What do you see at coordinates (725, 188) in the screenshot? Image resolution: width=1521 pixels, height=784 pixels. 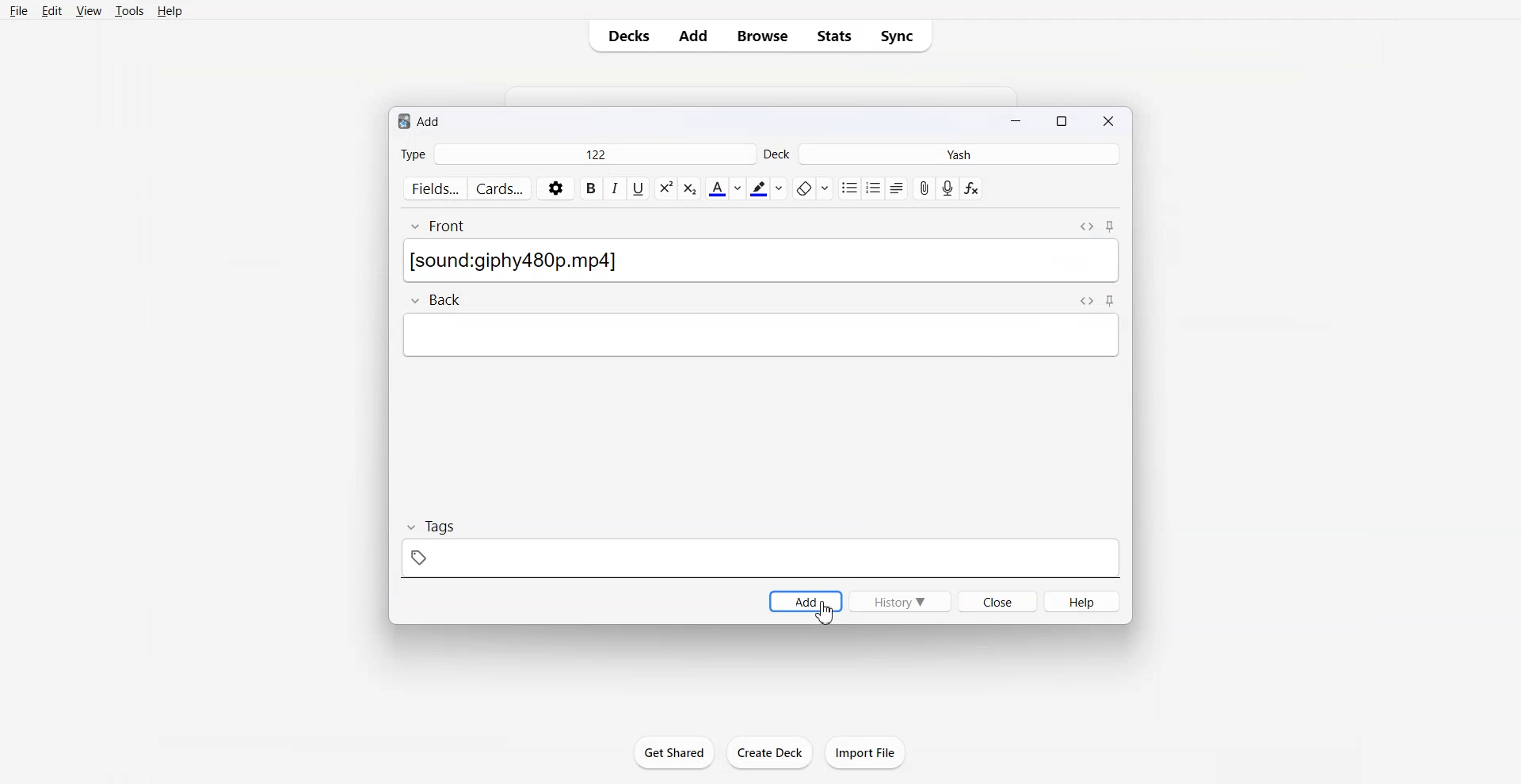 I see `Text Color` at bounding box center [725, 188].